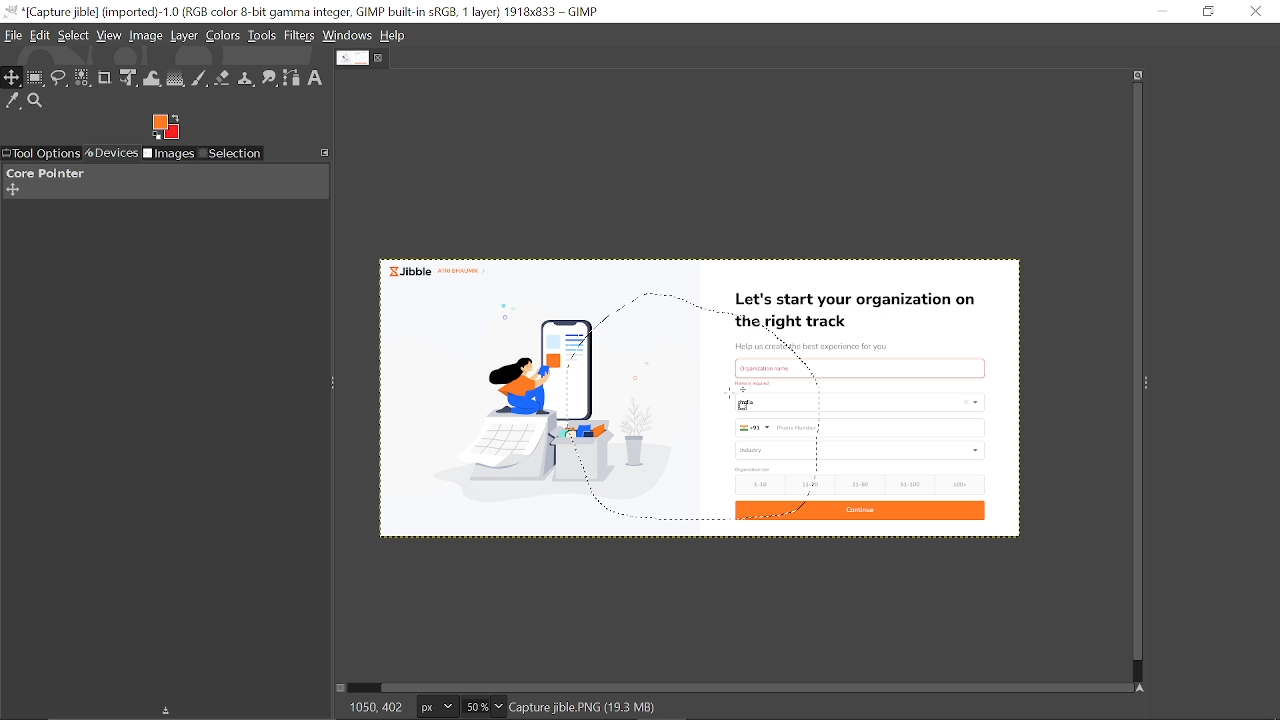 The height and width of the screenshot is (720, 1280). I want to click on Image, so click(147, 36).